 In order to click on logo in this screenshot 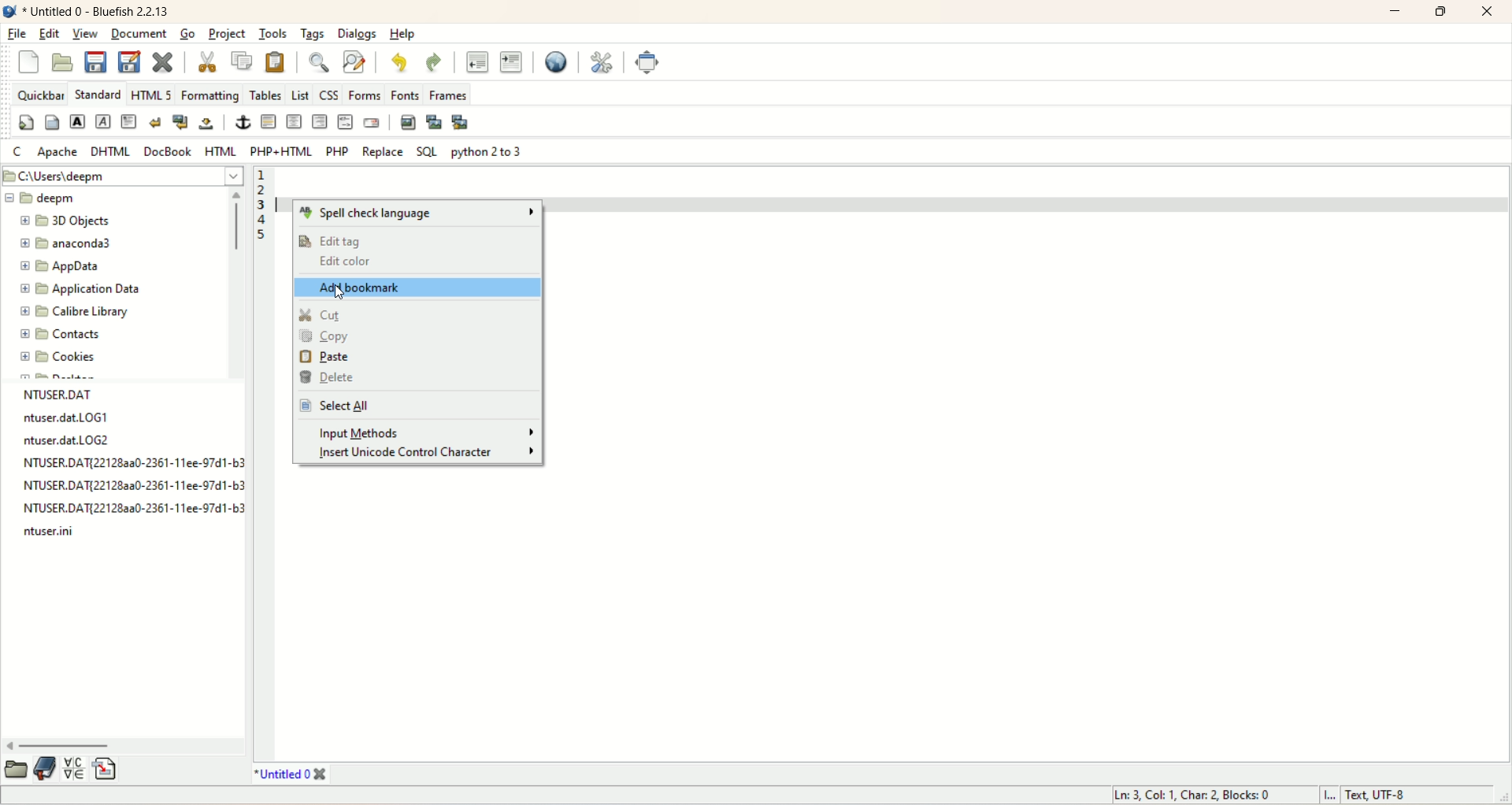, I will do `click(9, 11)`.